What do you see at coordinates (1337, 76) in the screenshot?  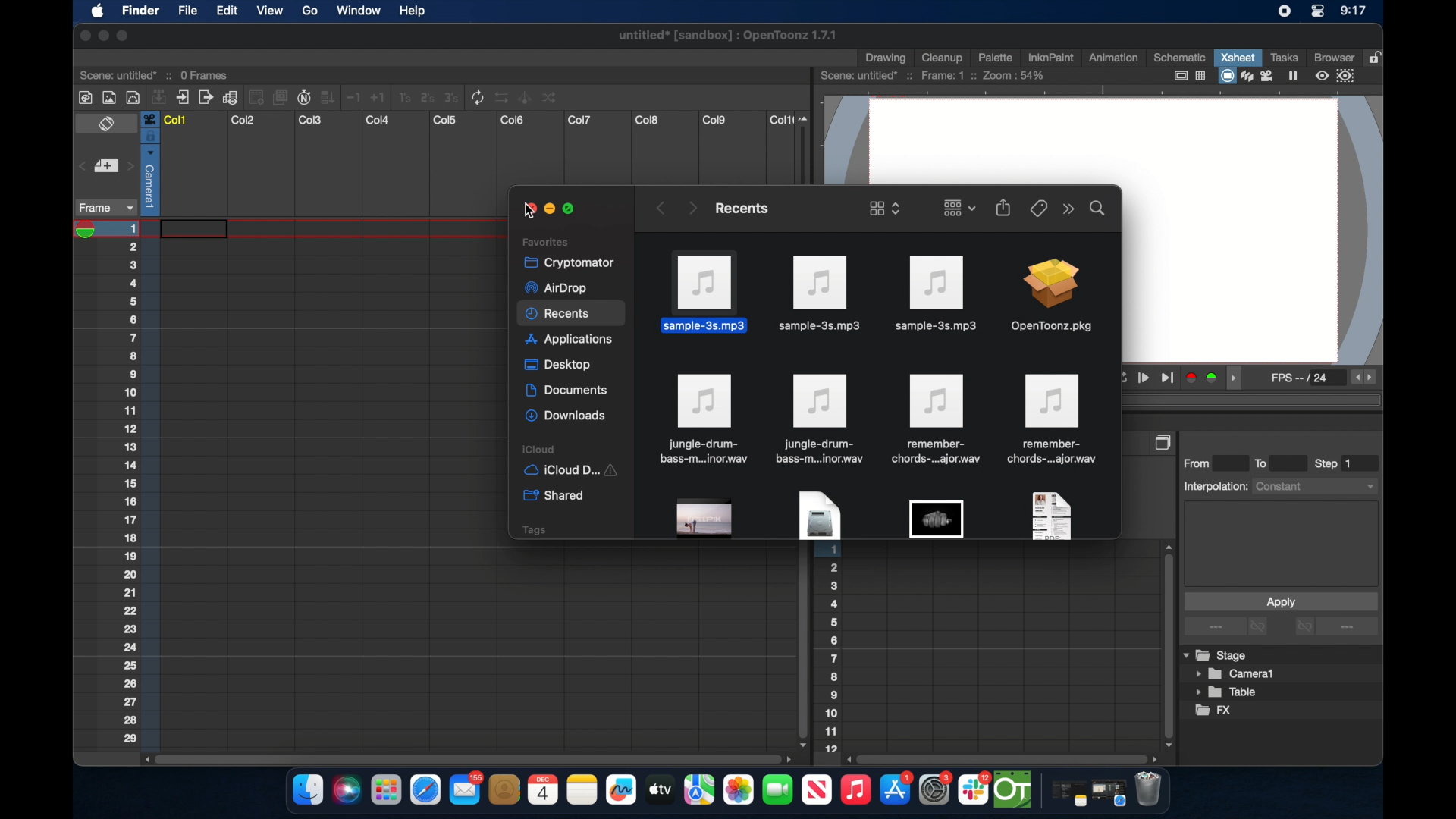 I see `preview` at bounding box center [1337, 76].